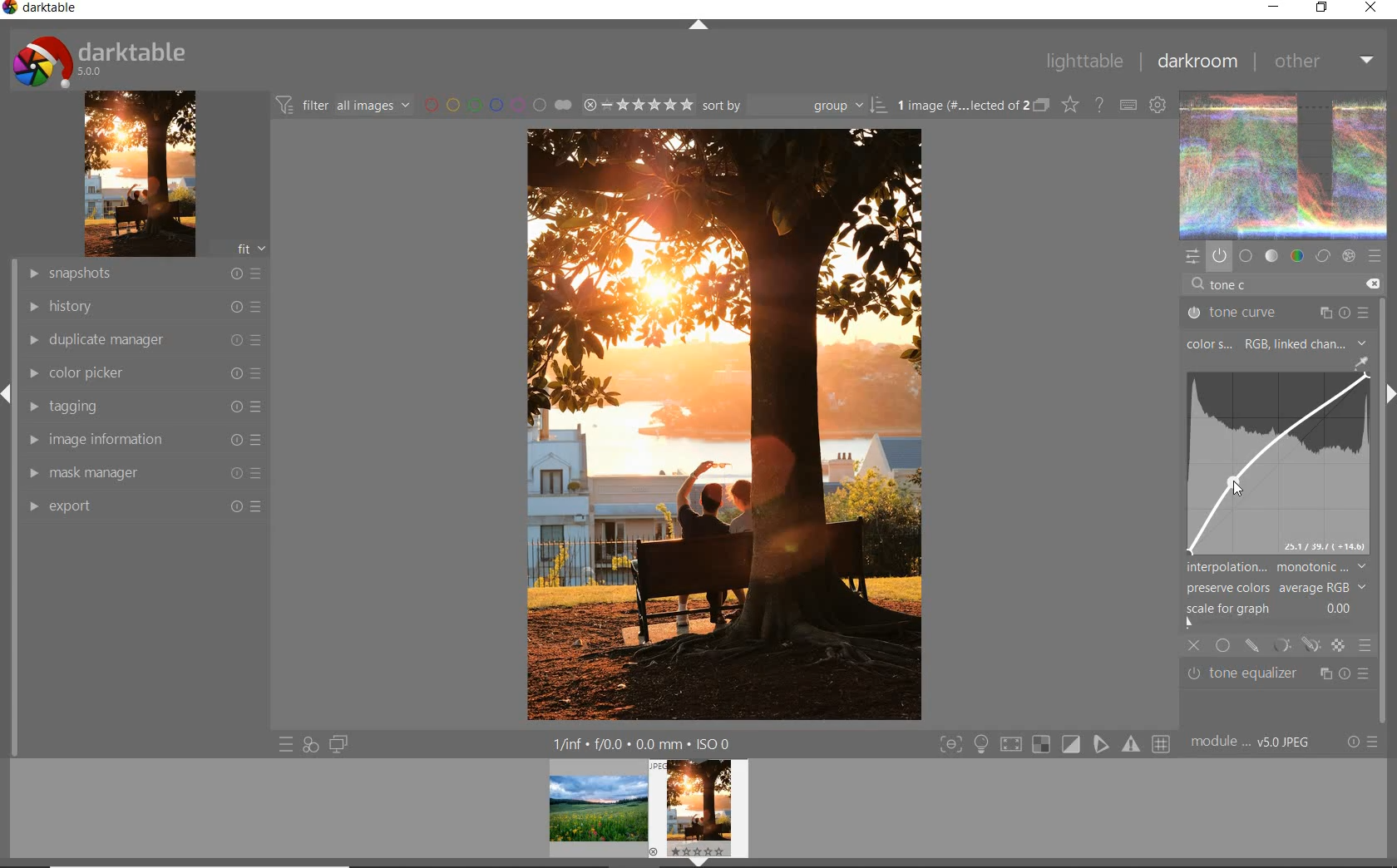 This screenshot has width=1397, height=868. I want to click on preserve colors, so click(1274, 588).